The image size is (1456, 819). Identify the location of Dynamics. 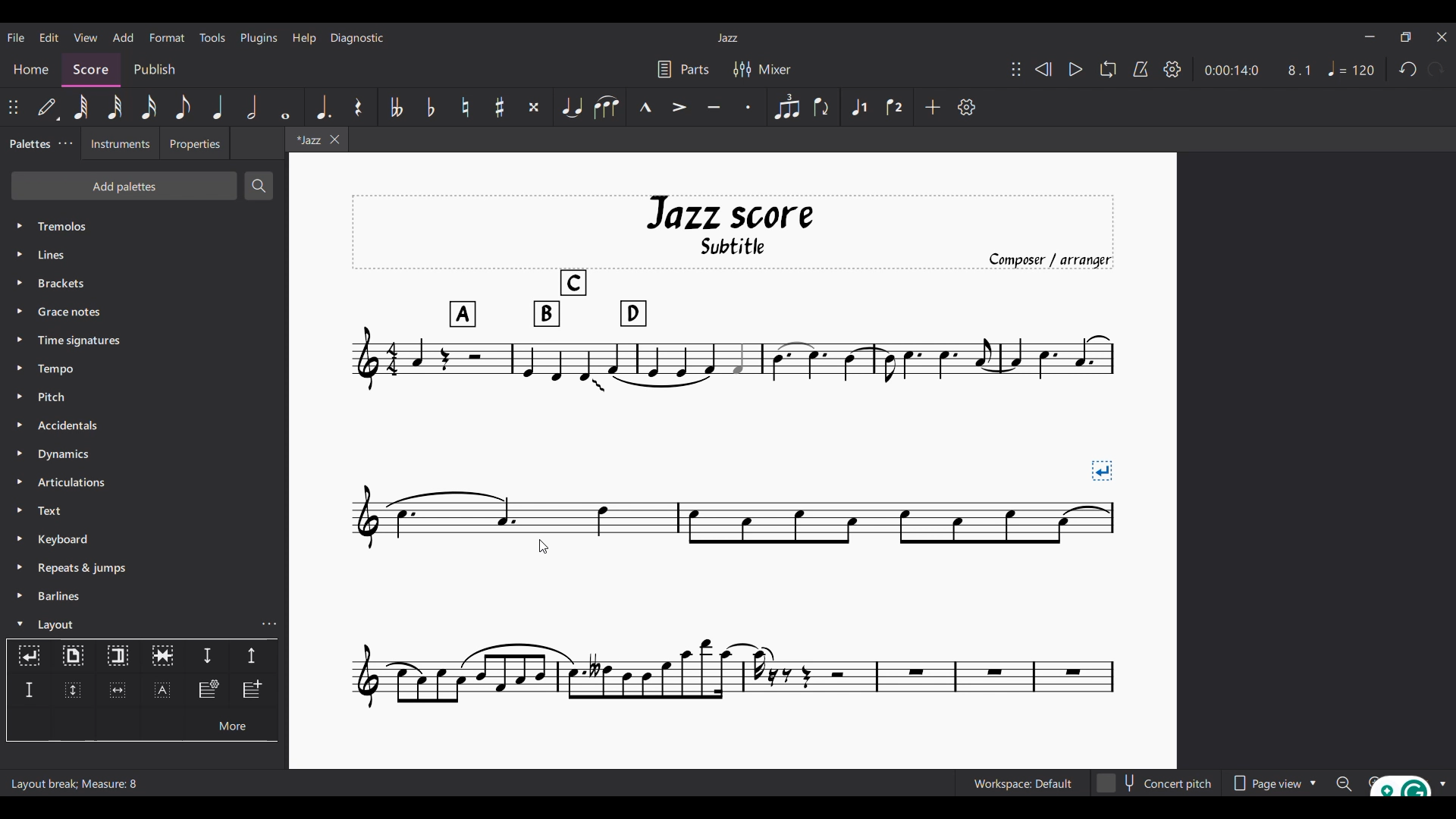
(144, 453).